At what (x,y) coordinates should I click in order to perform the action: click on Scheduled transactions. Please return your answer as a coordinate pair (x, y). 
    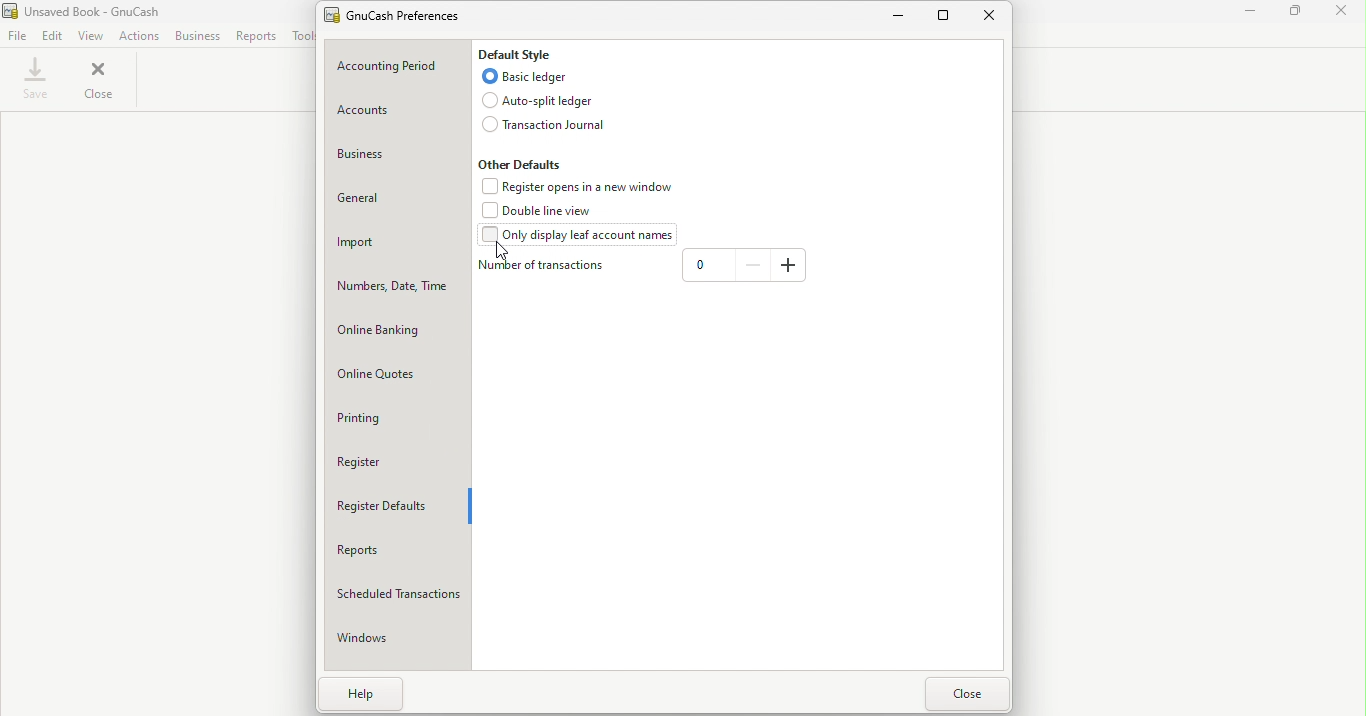
    Looking at the image, I should click on (398, 592).